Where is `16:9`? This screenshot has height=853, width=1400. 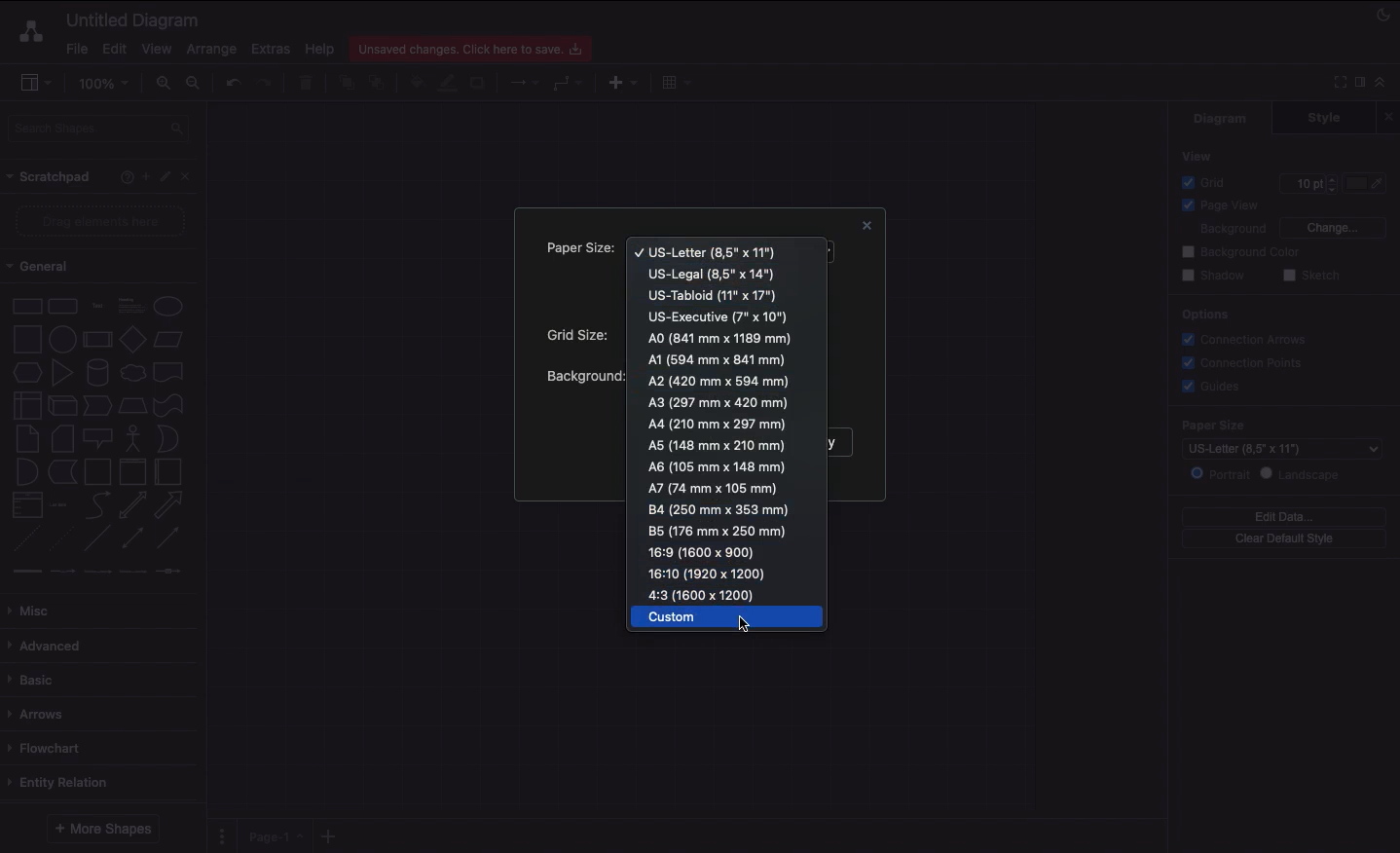
16:9 is located at coordinates (701, 551).